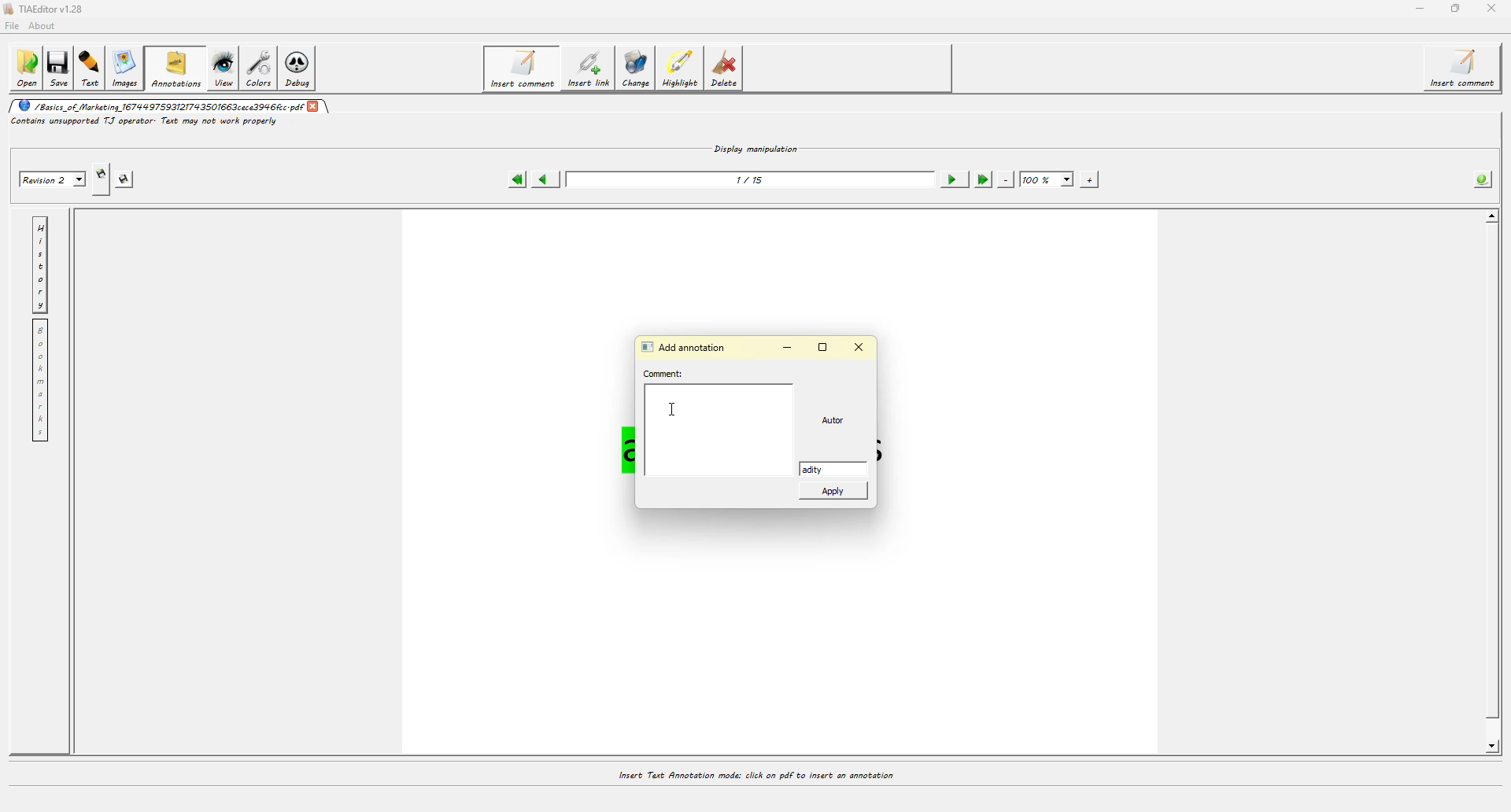 The height and width of the screenshot is (812, 1511). What do you see at coordinates (755, 775) in the screenshot?
I see `Insert Text Annotation mode: click on pdf to insert an annotation` at bounding box center [755, 775].